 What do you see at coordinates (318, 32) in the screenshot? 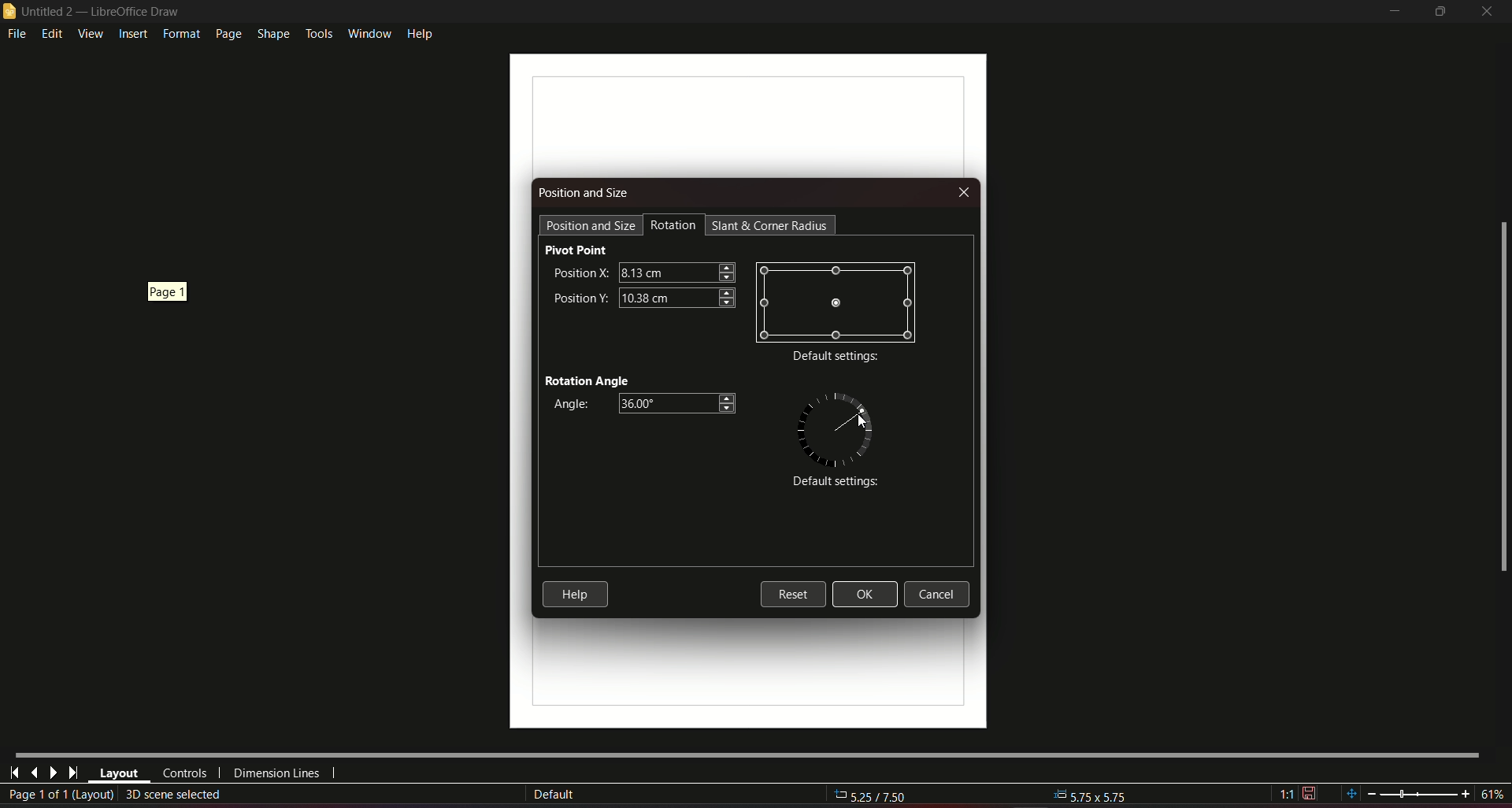
I see `tools` at bounding box center [318, 32].